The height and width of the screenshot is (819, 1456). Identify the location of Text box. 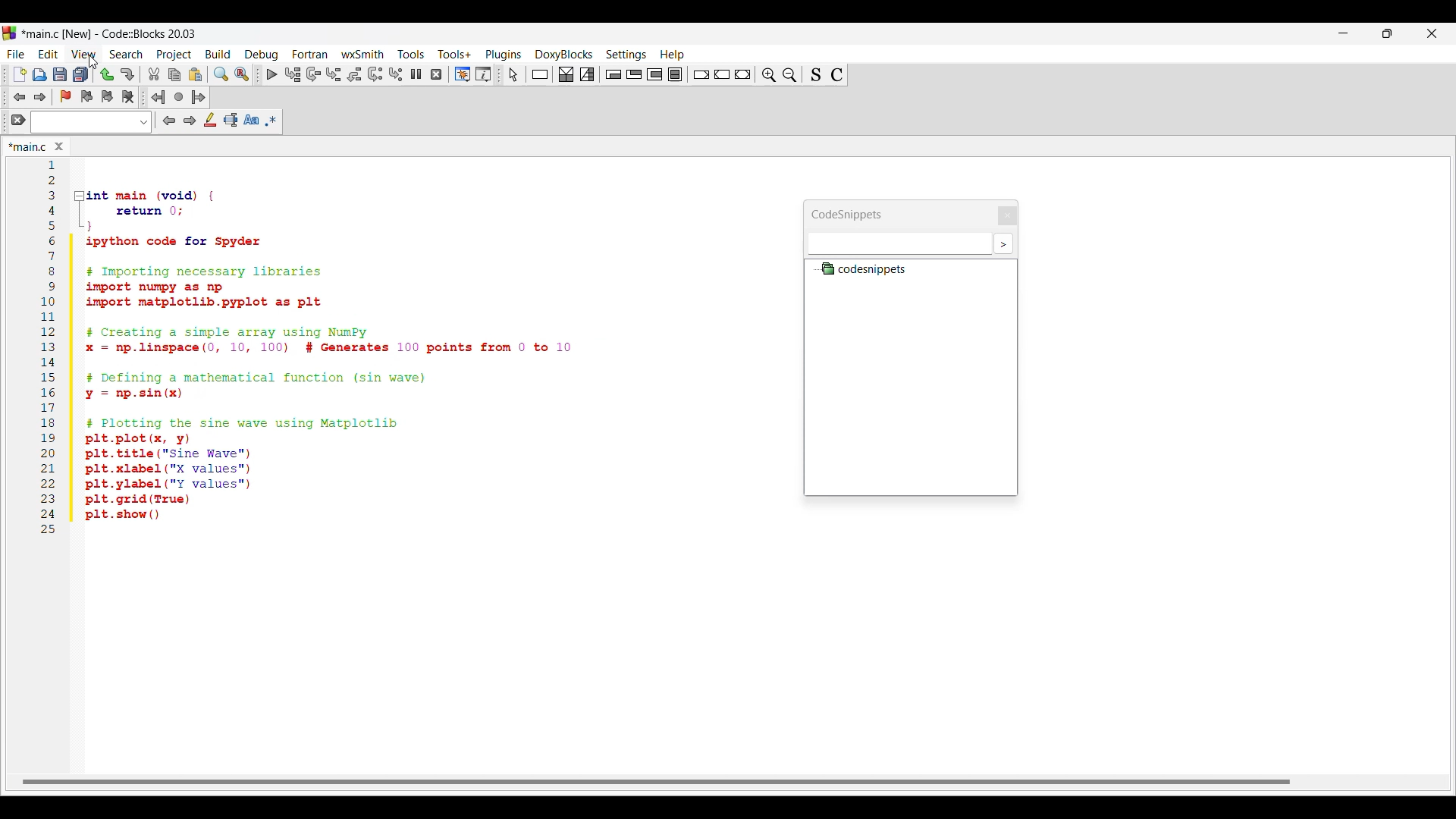
(896, 243).